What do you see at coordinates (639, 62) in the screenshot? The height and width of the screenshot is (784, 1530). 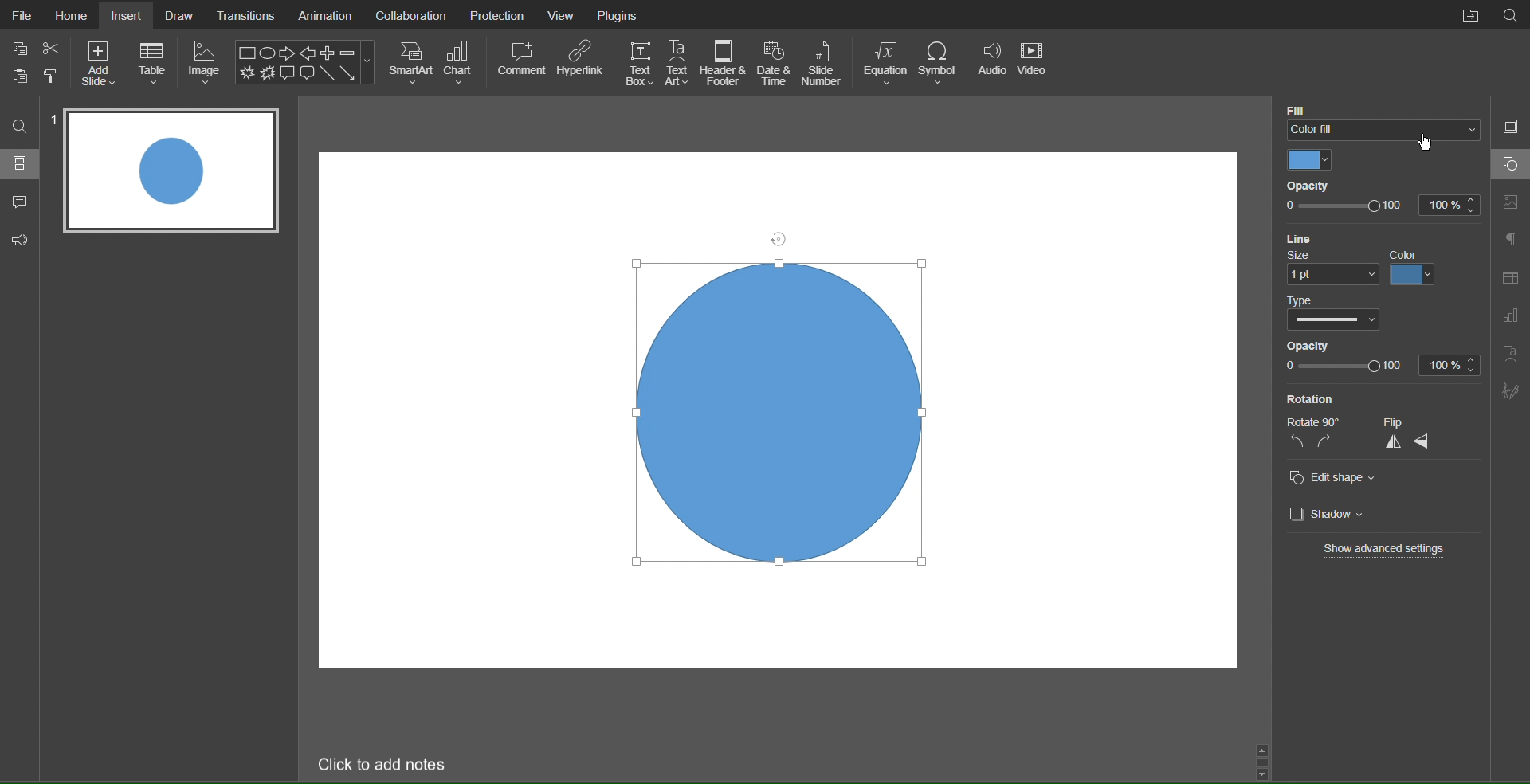 I see `Text Box` at bounding box center [639, 62].